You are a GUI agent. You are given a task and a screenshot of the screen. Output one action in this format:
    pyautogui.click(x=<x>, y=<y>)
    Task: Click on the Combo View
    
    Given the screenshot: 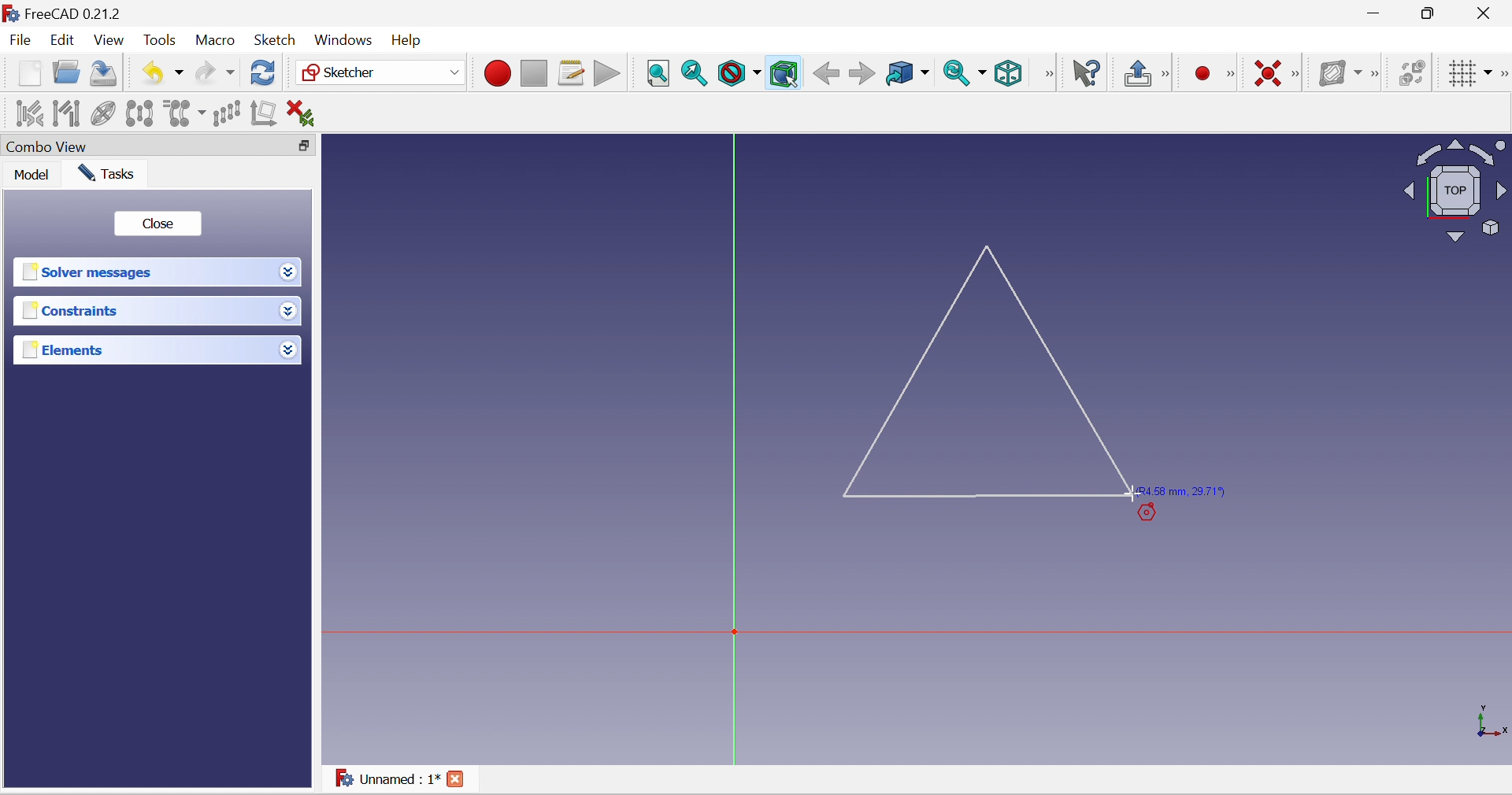 What is the action you would take?
    pyautogui.click(x=141, y=146)
    